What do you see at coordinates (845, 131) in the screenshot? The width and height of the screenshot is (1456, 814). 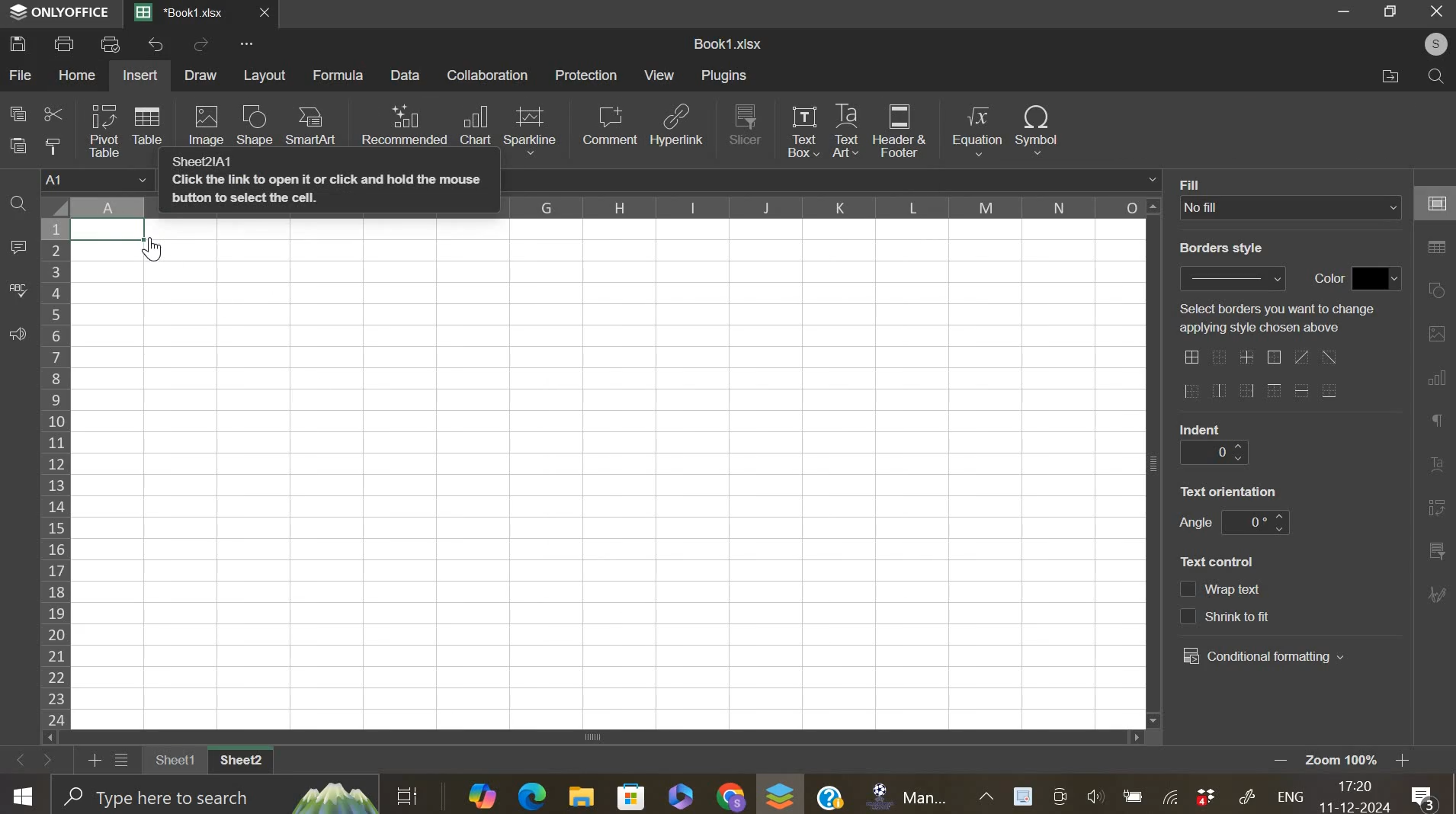 I see `text art` at bounding box center [845, 131].